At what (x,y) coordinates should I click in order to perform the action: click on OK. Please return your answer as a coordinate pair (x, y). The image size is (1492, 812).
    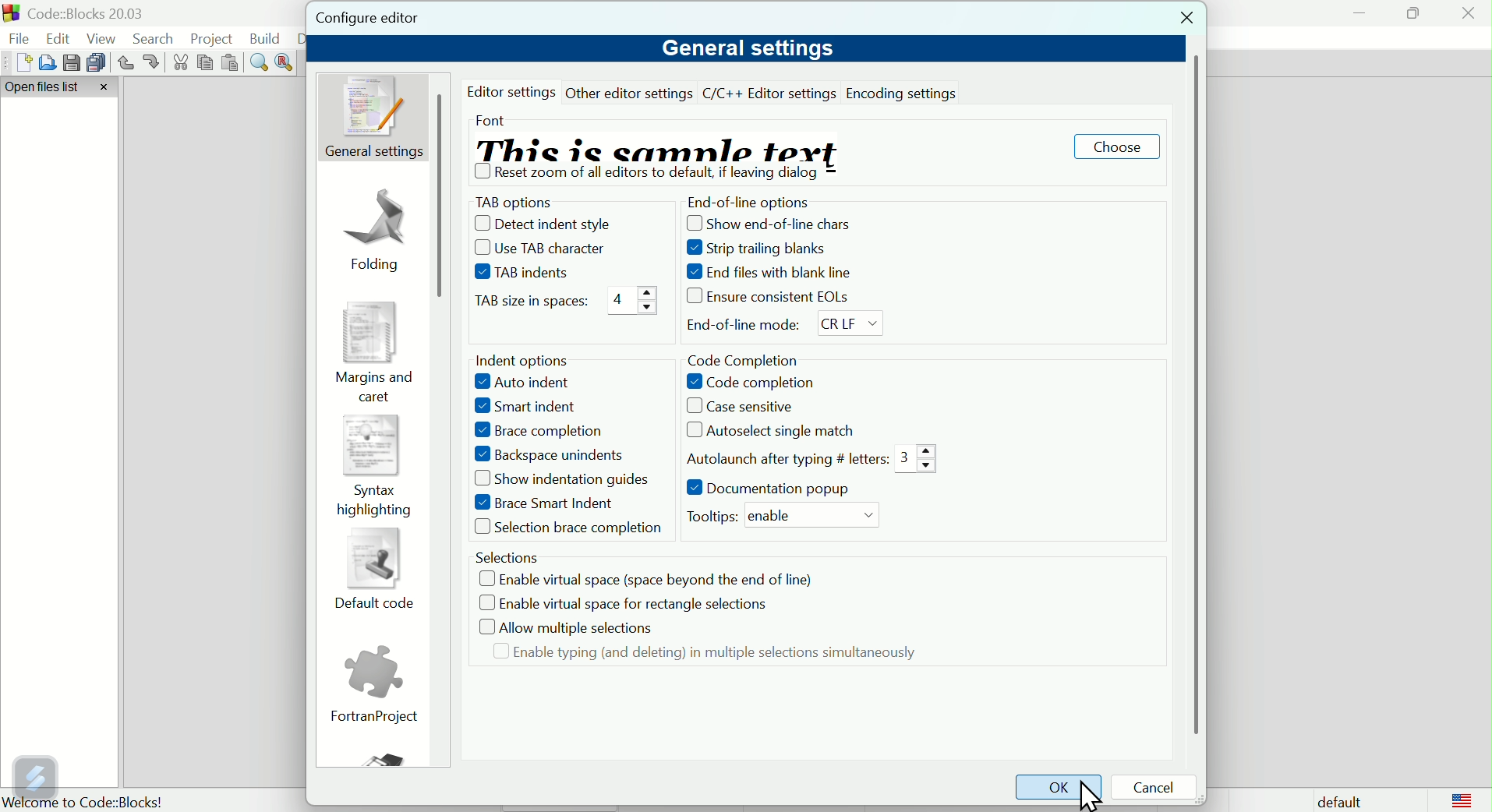
    Looking at the image, I should click on (1058, 789).